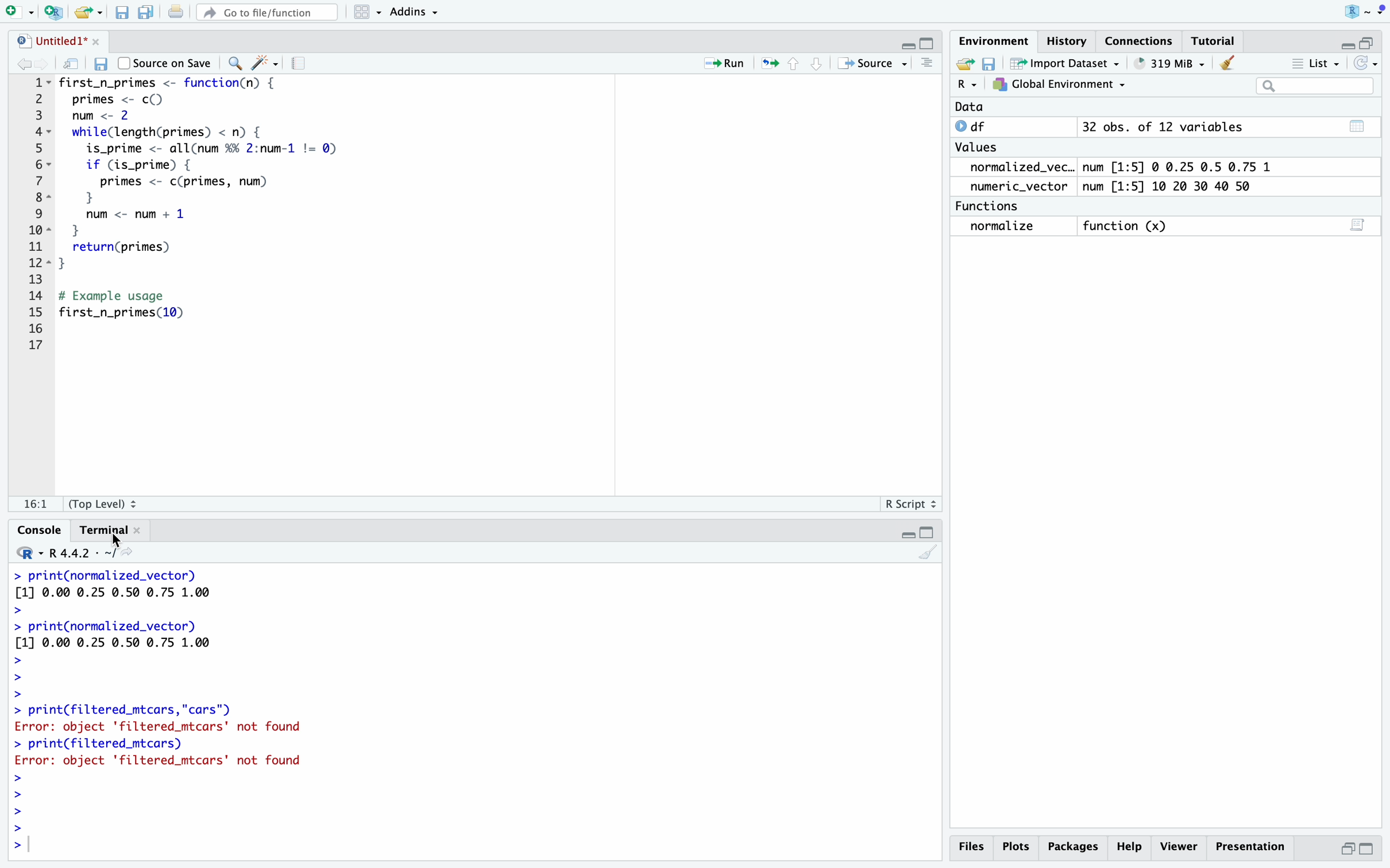 Image resolution: width=1390 pixels, height=868 pixels. Describe the element at coordinates (1128, 187) in the screenshot. I see `numeric_vector num [1:5] 10 20 30 40 50` at that location.